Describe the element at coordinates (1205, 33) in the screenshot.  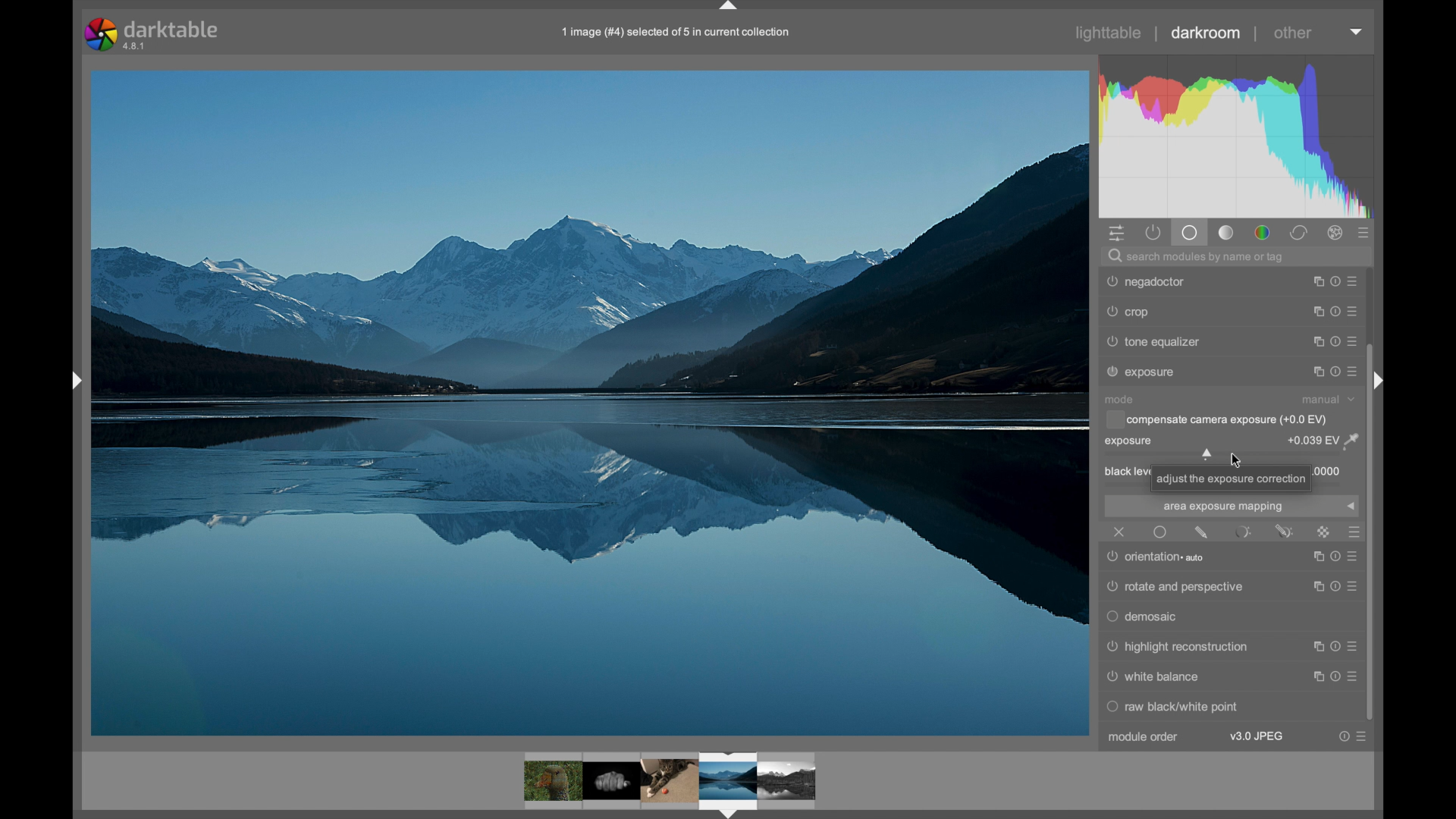
I see `darkroom` at that location.